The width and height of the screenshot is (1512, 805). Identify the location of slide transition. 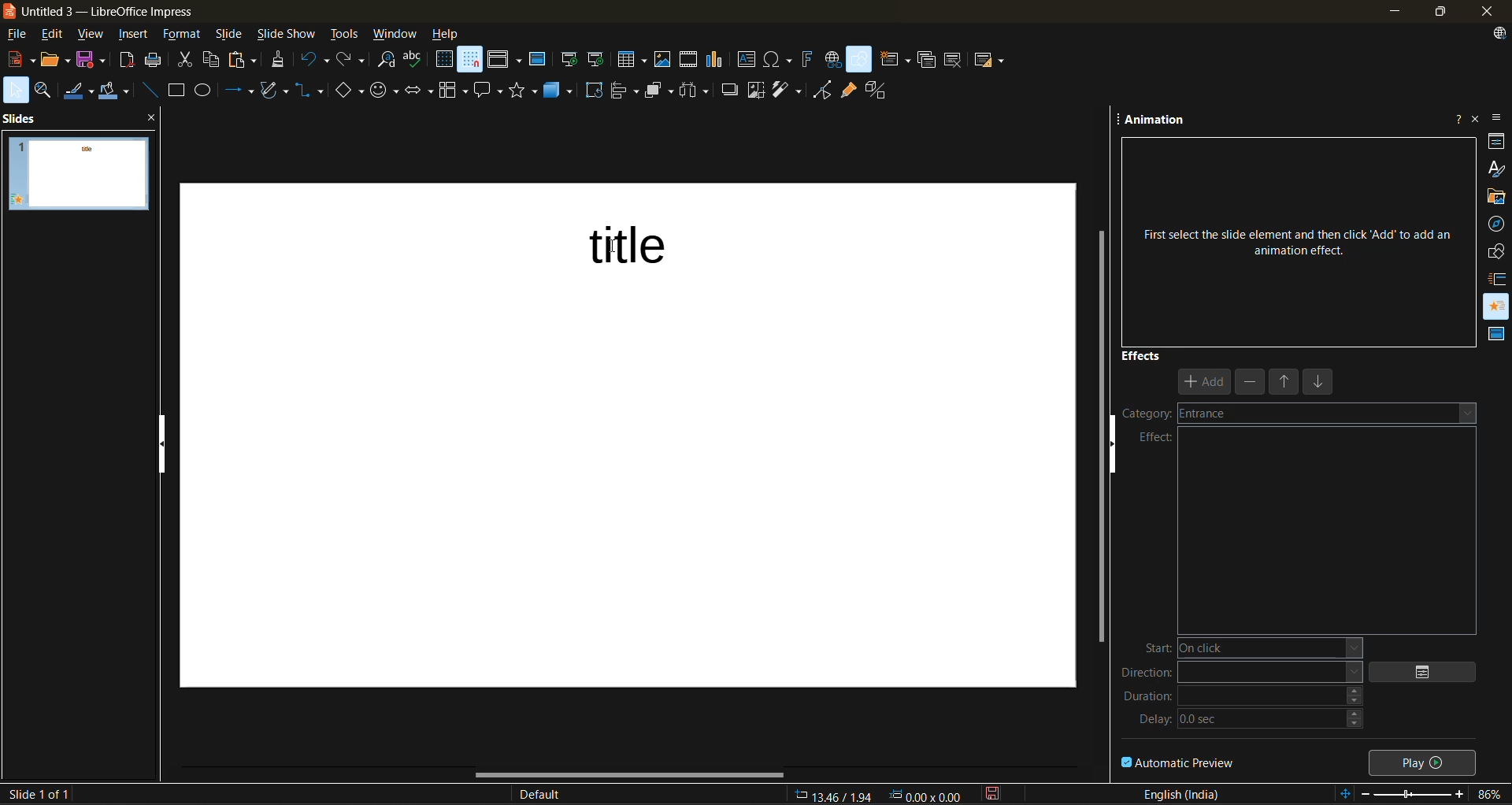
(1499, 278).